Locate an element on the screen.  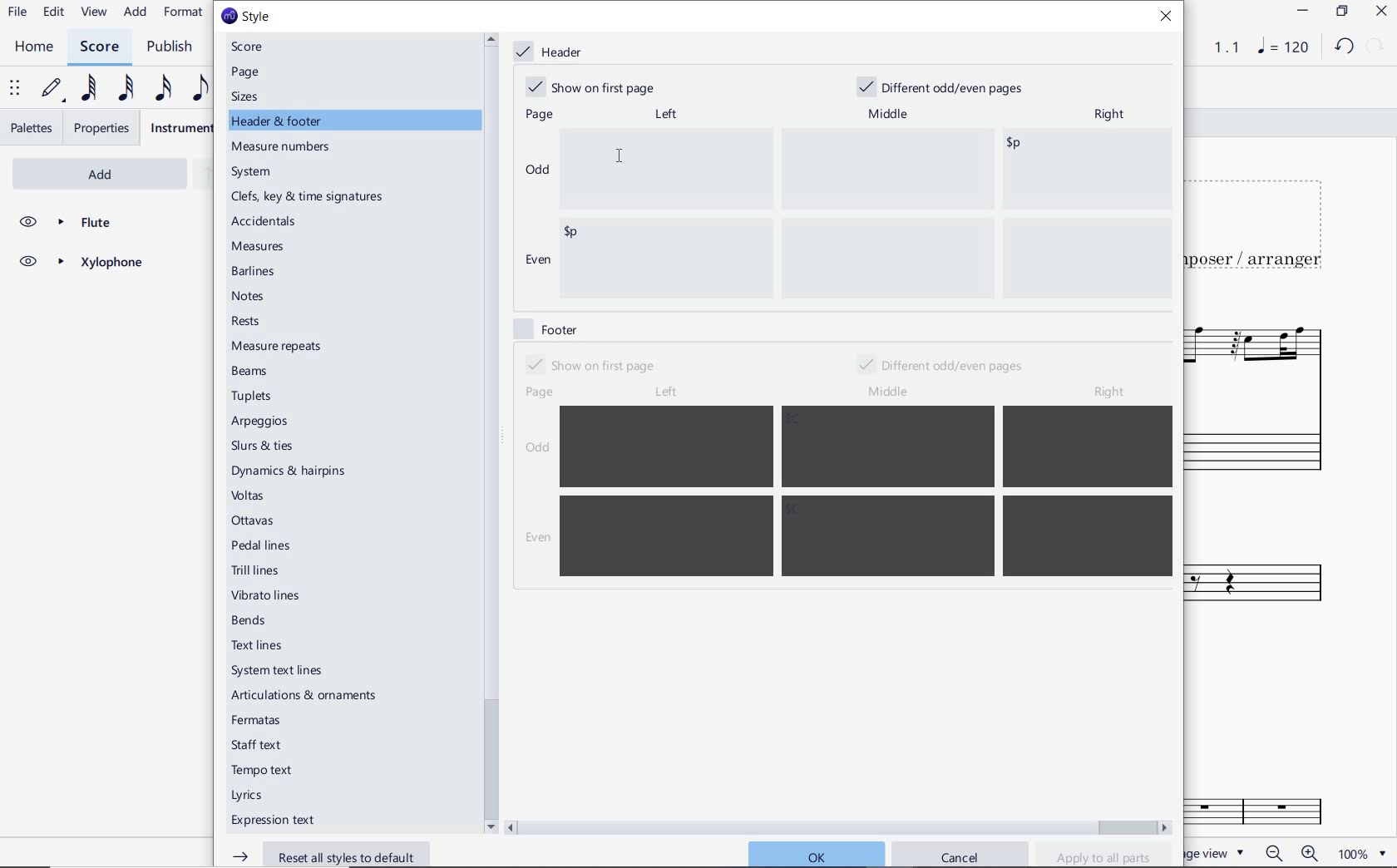
reset all styles to default is located at coordinates (323, 854).